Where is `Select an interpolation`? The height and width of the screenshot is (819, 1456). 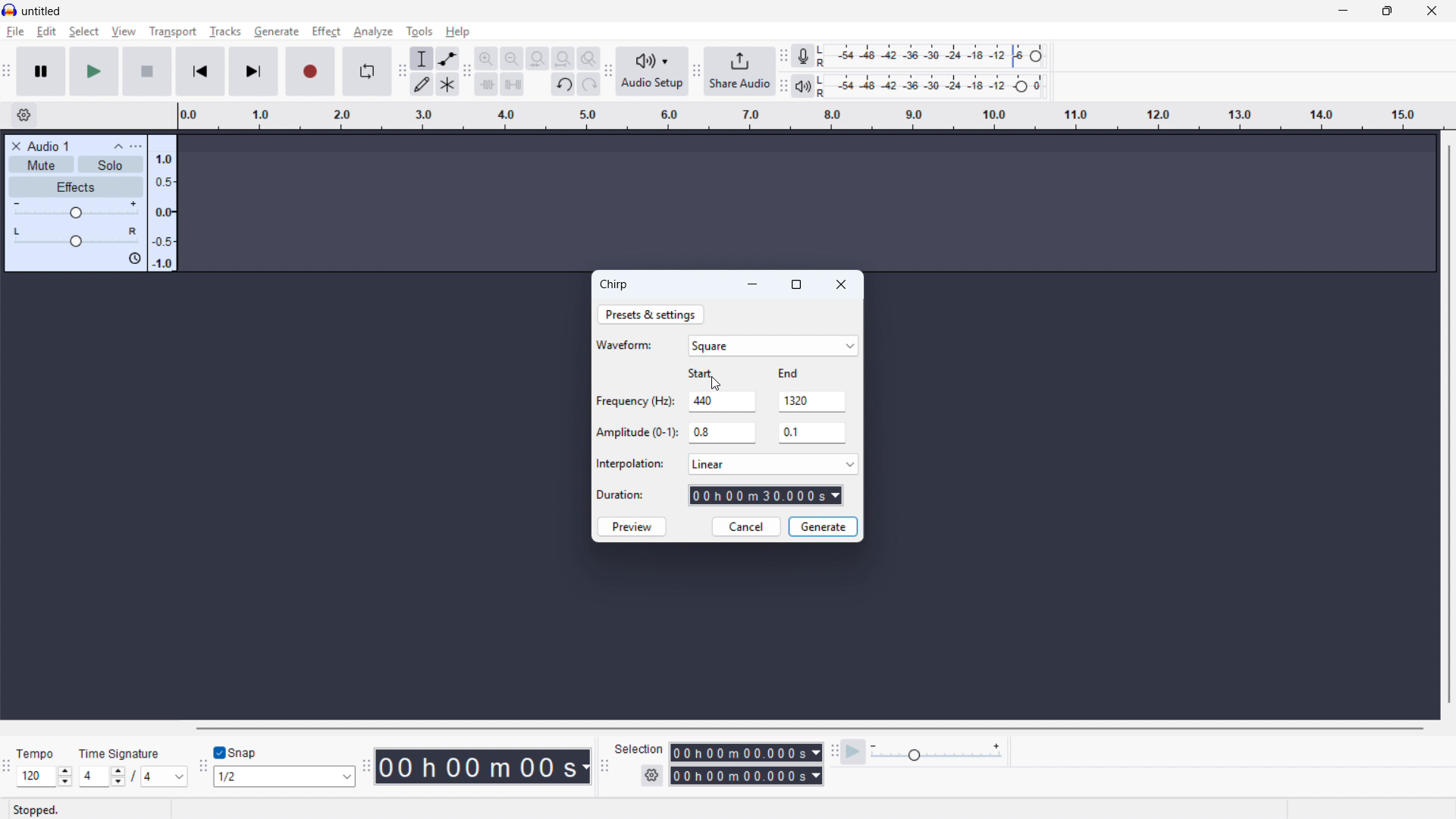 Select an interpolation is located at coordinates (772, 463).